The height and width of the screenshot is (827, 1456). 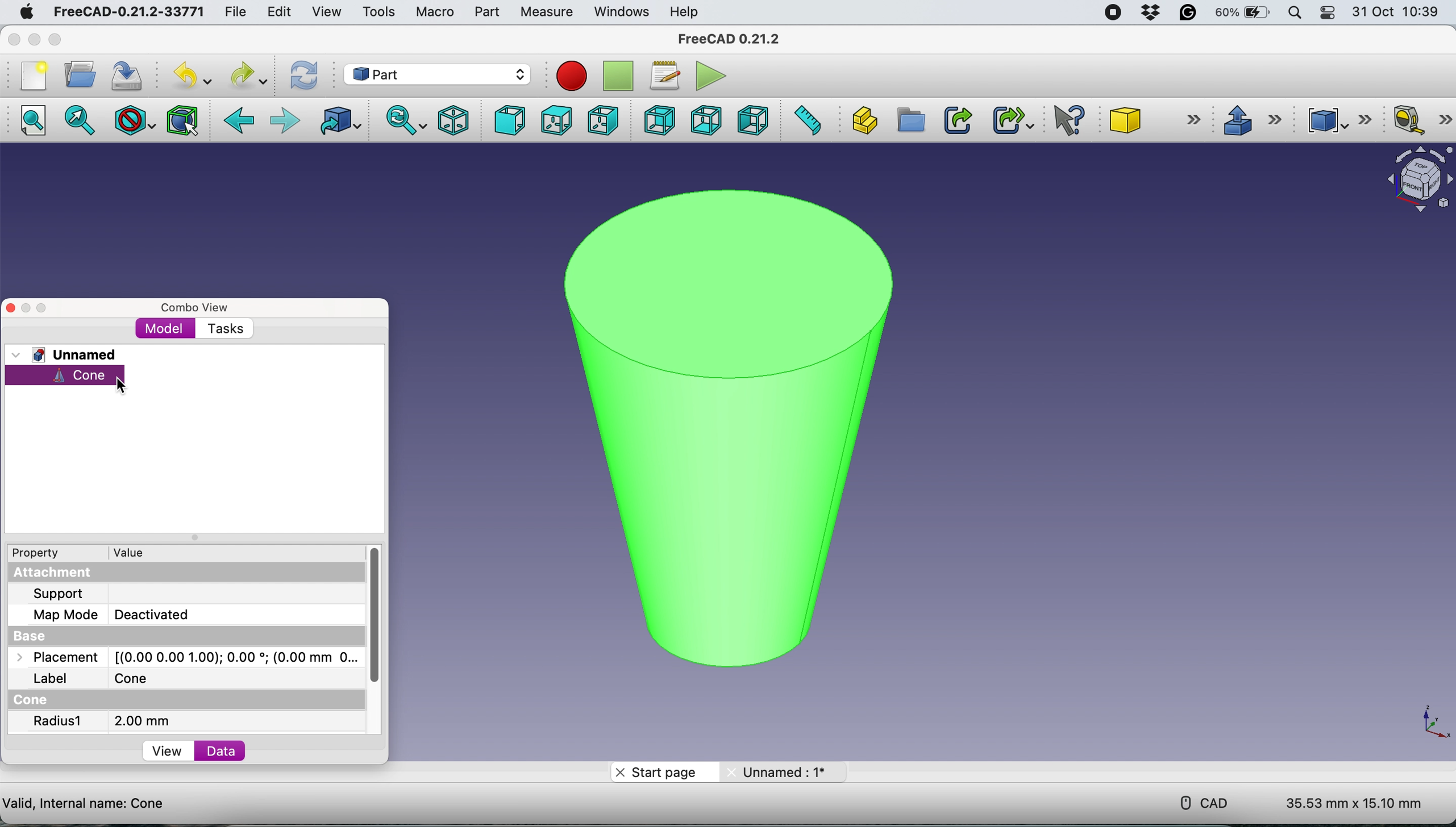 What do you see at coordinates (302, 75) in the screenshot?
I see `refresh` at bounding box center [302, 75].